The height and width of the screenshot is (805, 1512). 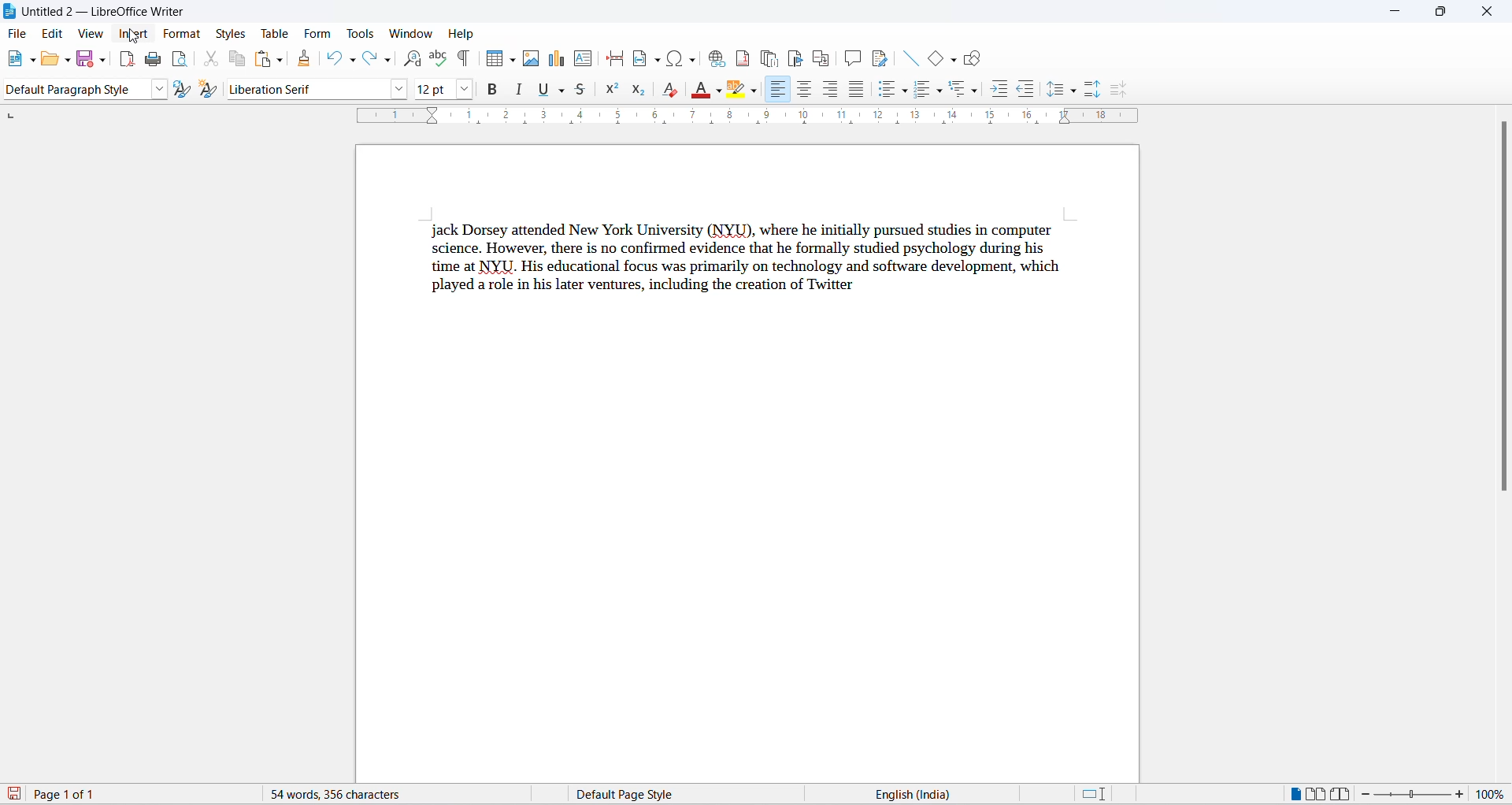 What do you see at coordinates (494, 88) in the screenshot?
I see `bold` at bounding box center [494, 88].